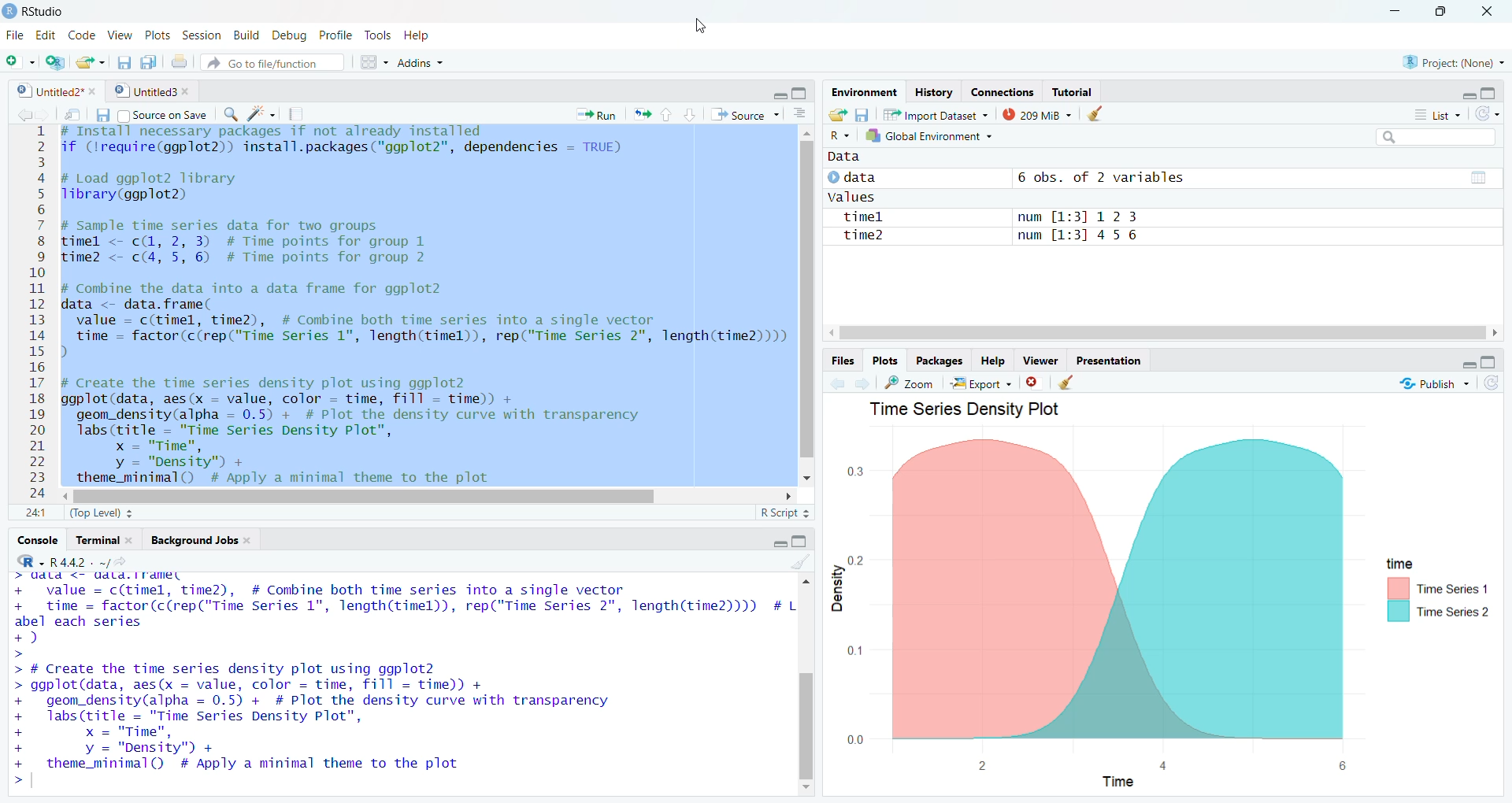  I want to click on Plots, so click(884, 362).